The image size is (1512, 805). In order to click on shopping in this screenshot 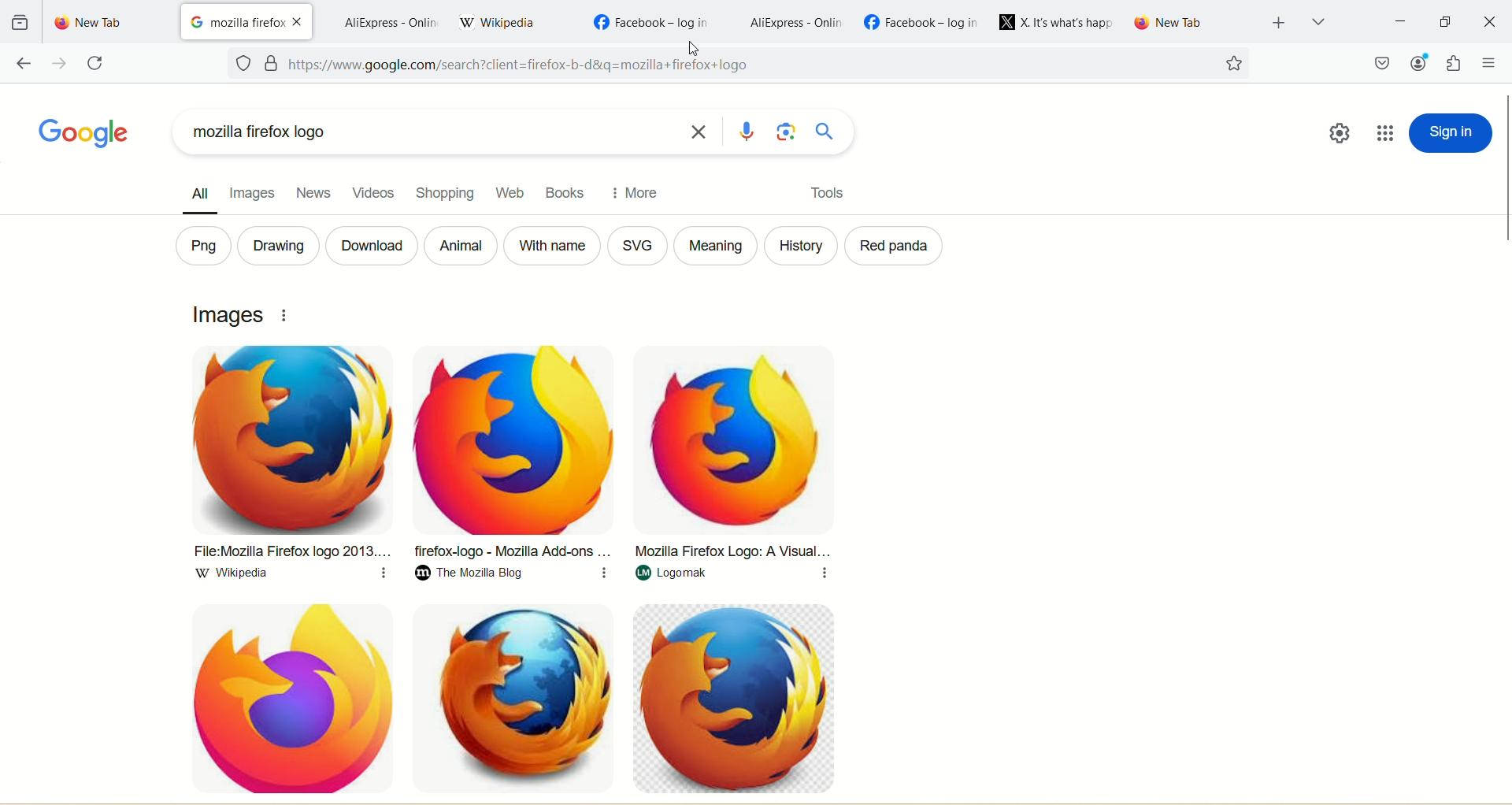, I will do `click(447, 192)`.